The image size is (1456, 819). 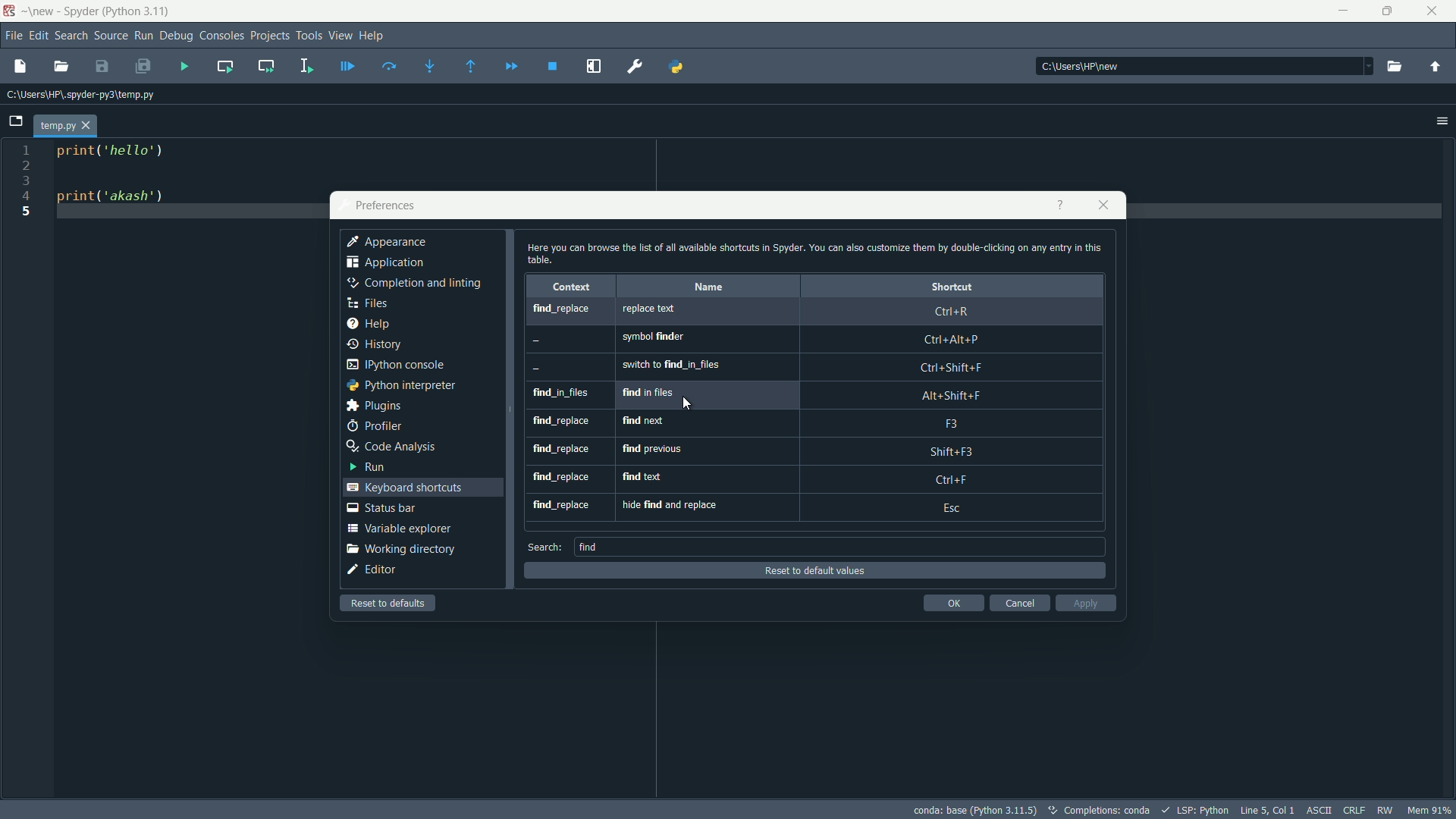 What do you see at coordinates (388, 243) in the screenshot?
I see `appearance ` at bounding box center [388, 243].